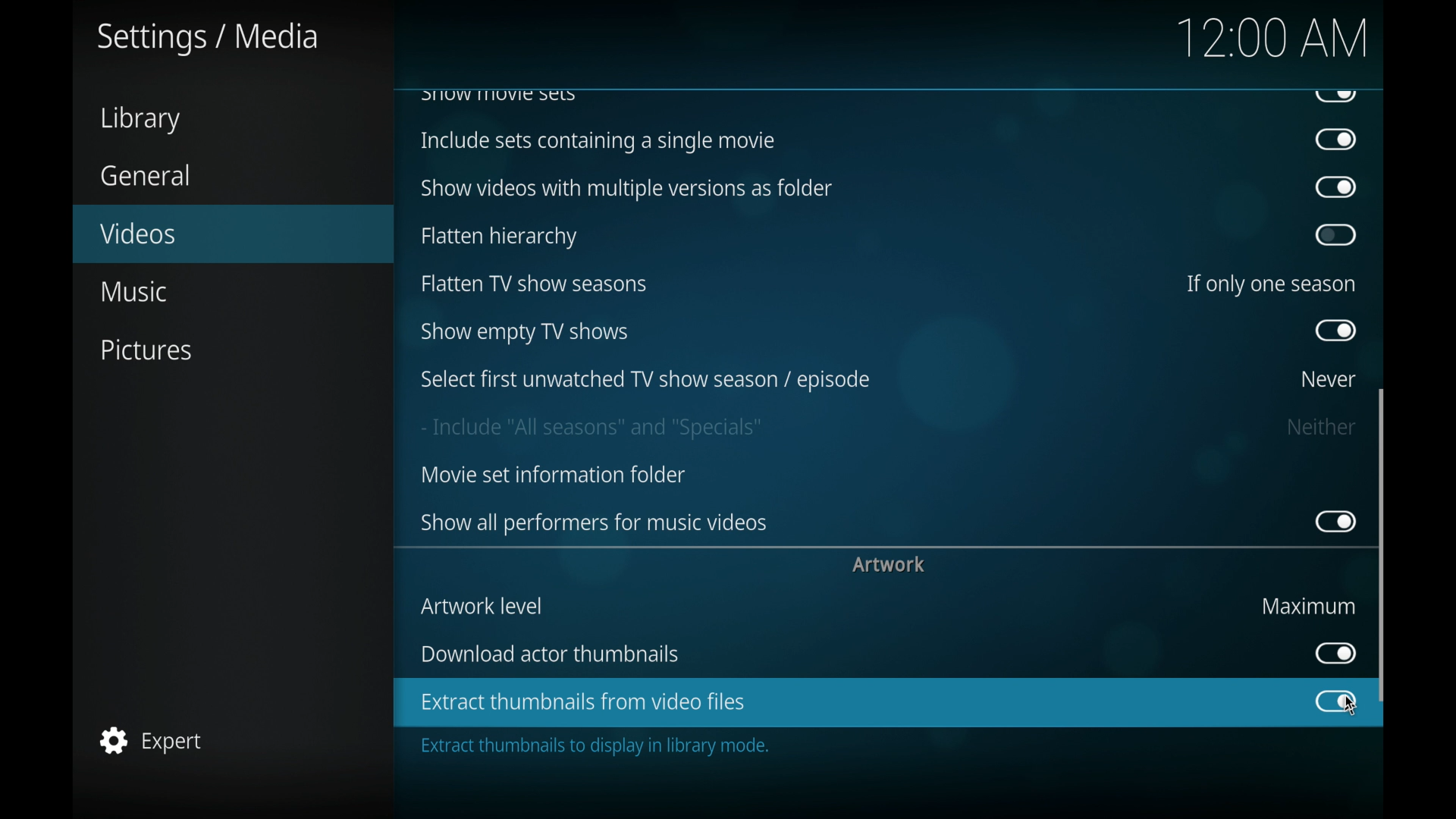  Describe the element at coordinates (591, 429) in the screenshot. I see `include all seasons and specials` at that location.